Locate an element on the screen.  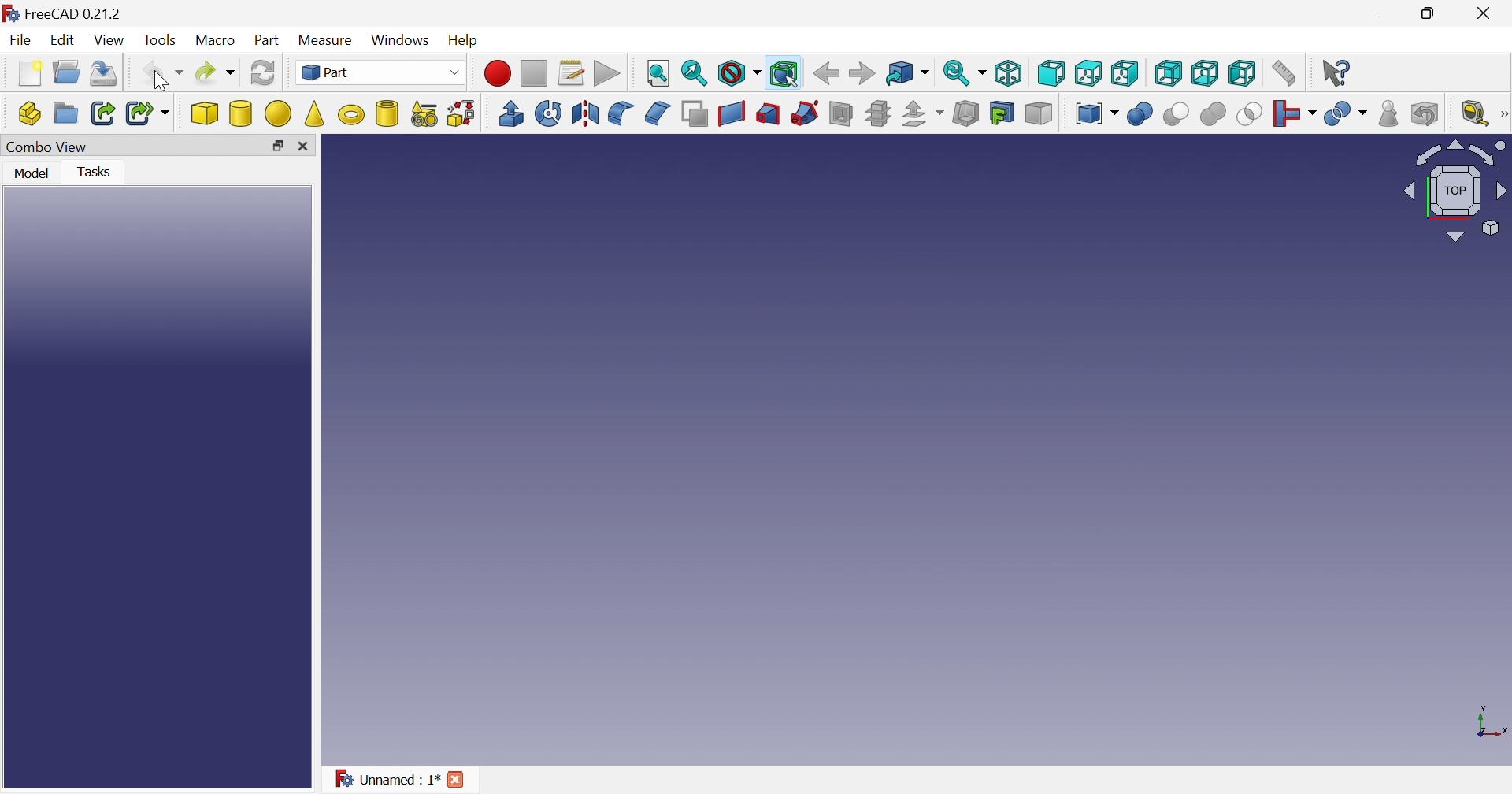
Measure is located at coordinates (328, 41).